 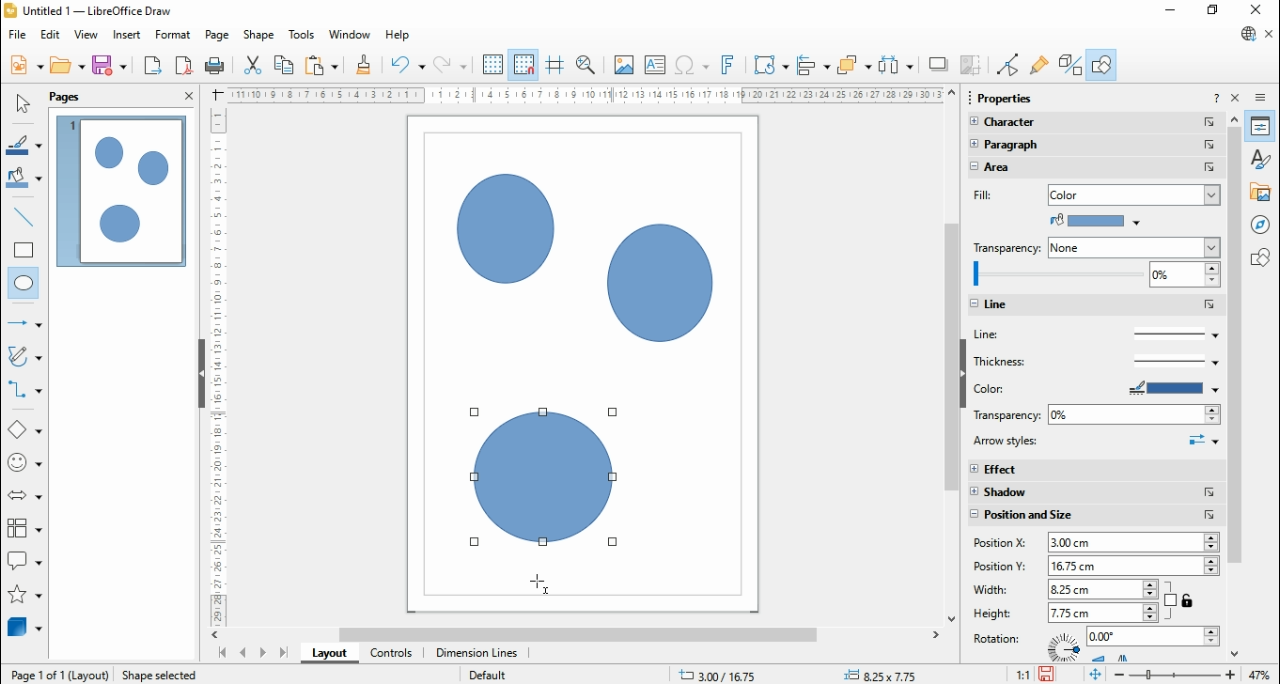 I want to click on toggle extrusions, so click(x=1070, y=64).